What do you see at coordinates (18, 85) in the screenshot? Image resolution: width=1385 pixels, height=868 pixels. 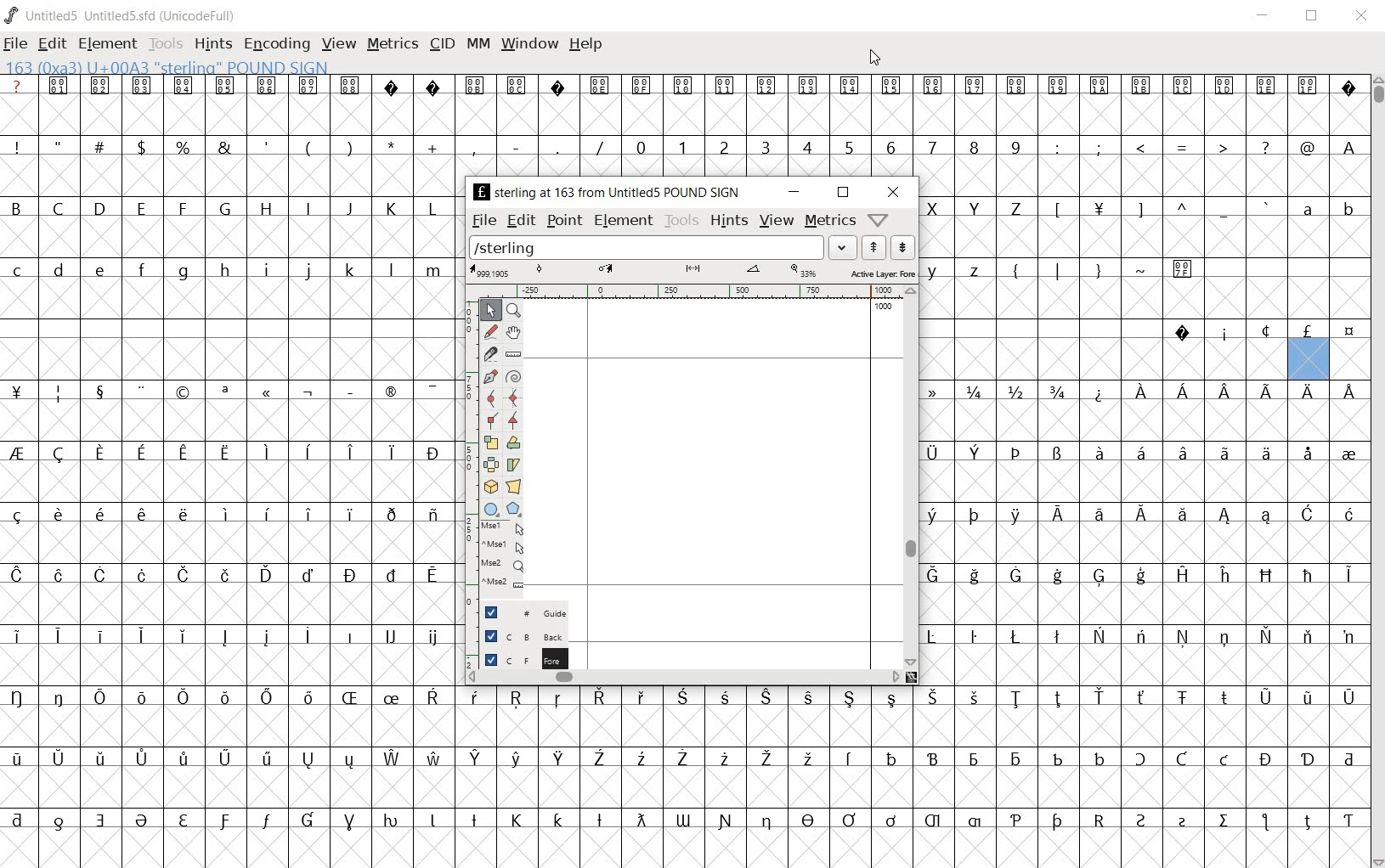 I see `?` at bounding box center [18, 85].